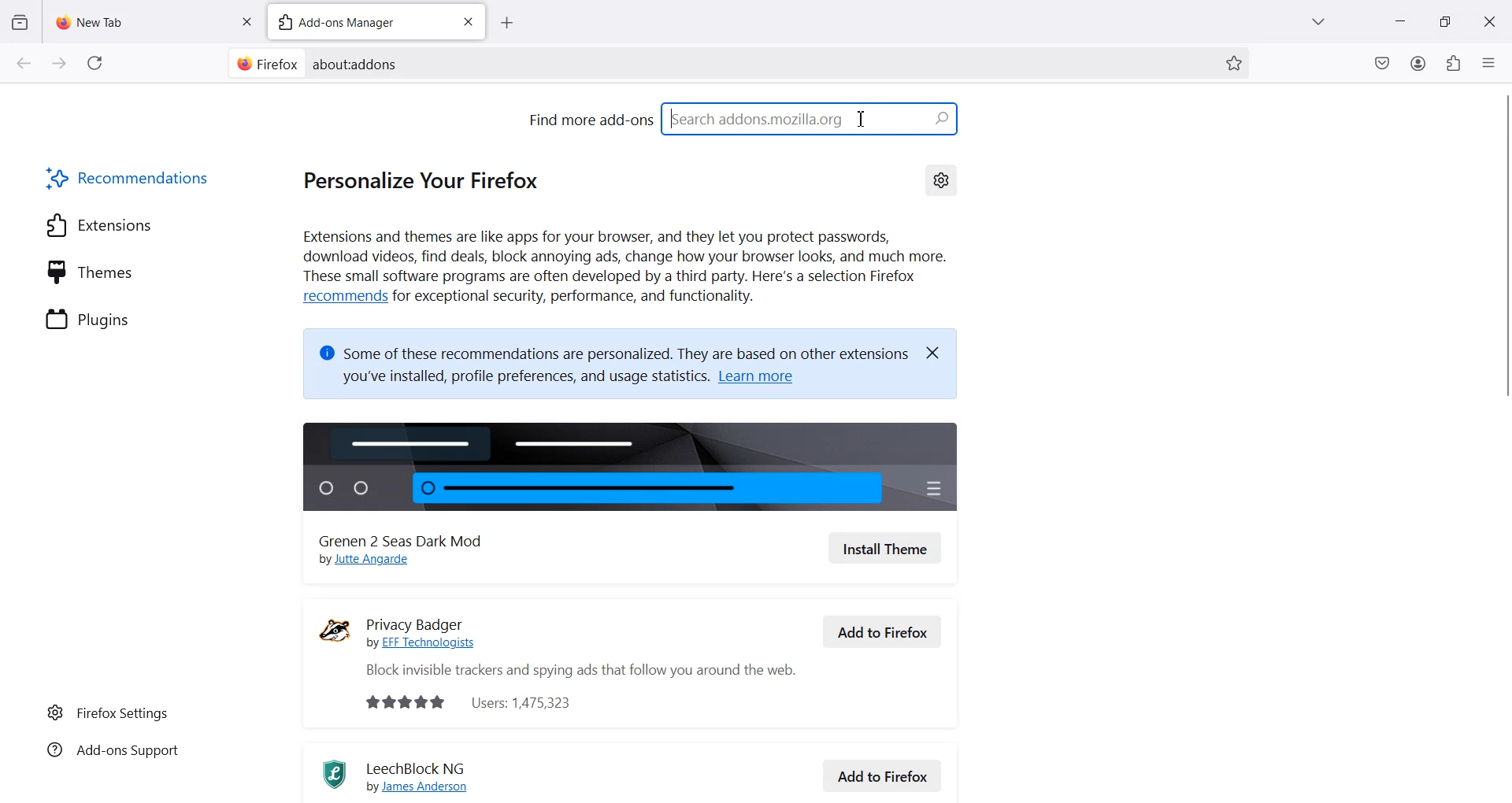  What do you see at coordinates (1383, 63) in the screenshot?
I see `Save to pocket` at bounding box center [1383, 63].